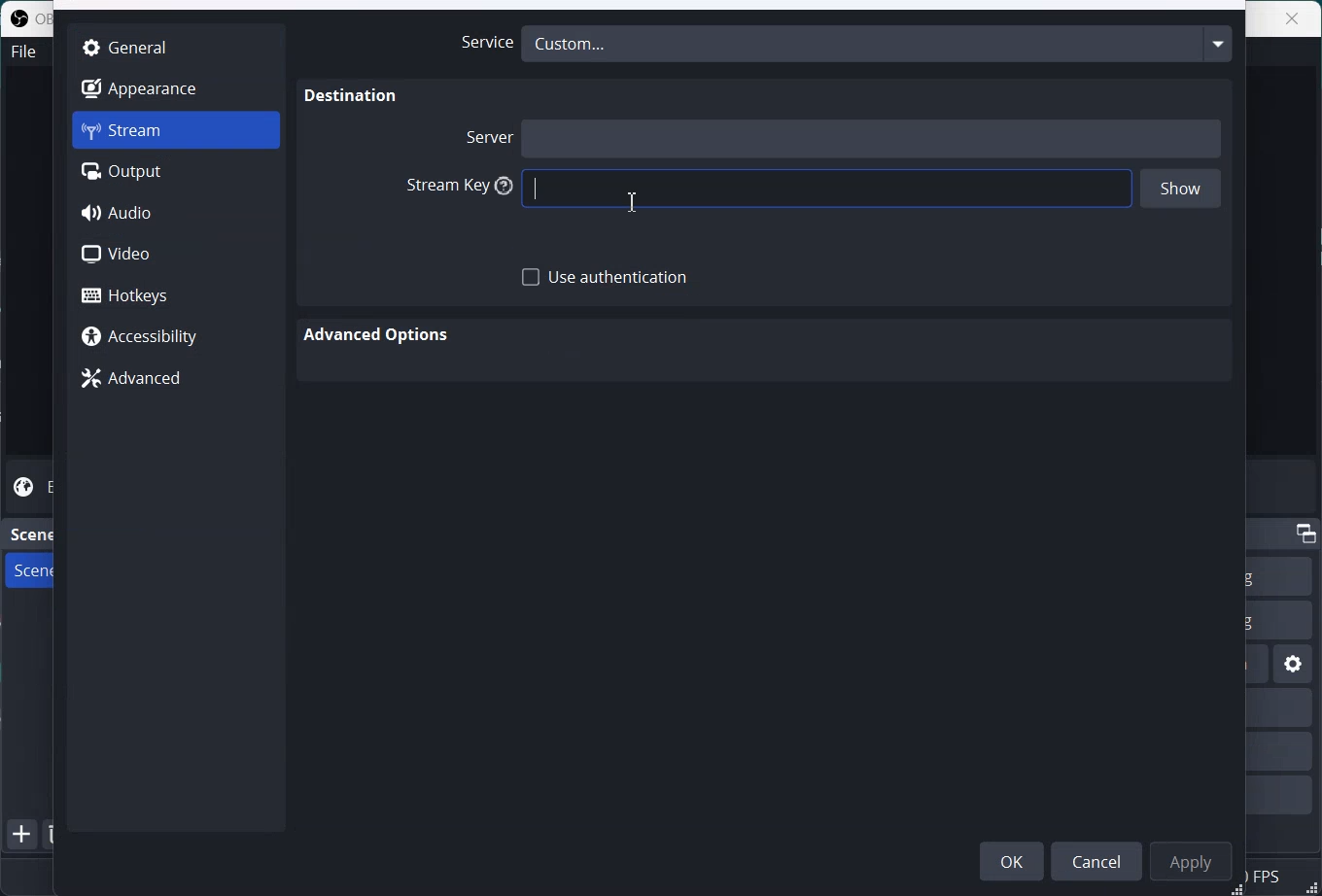 This screenshot has width=1322, height=896. Describe the element at coordinates (873, 137) in the screenshot. I see `Server name` at that location.